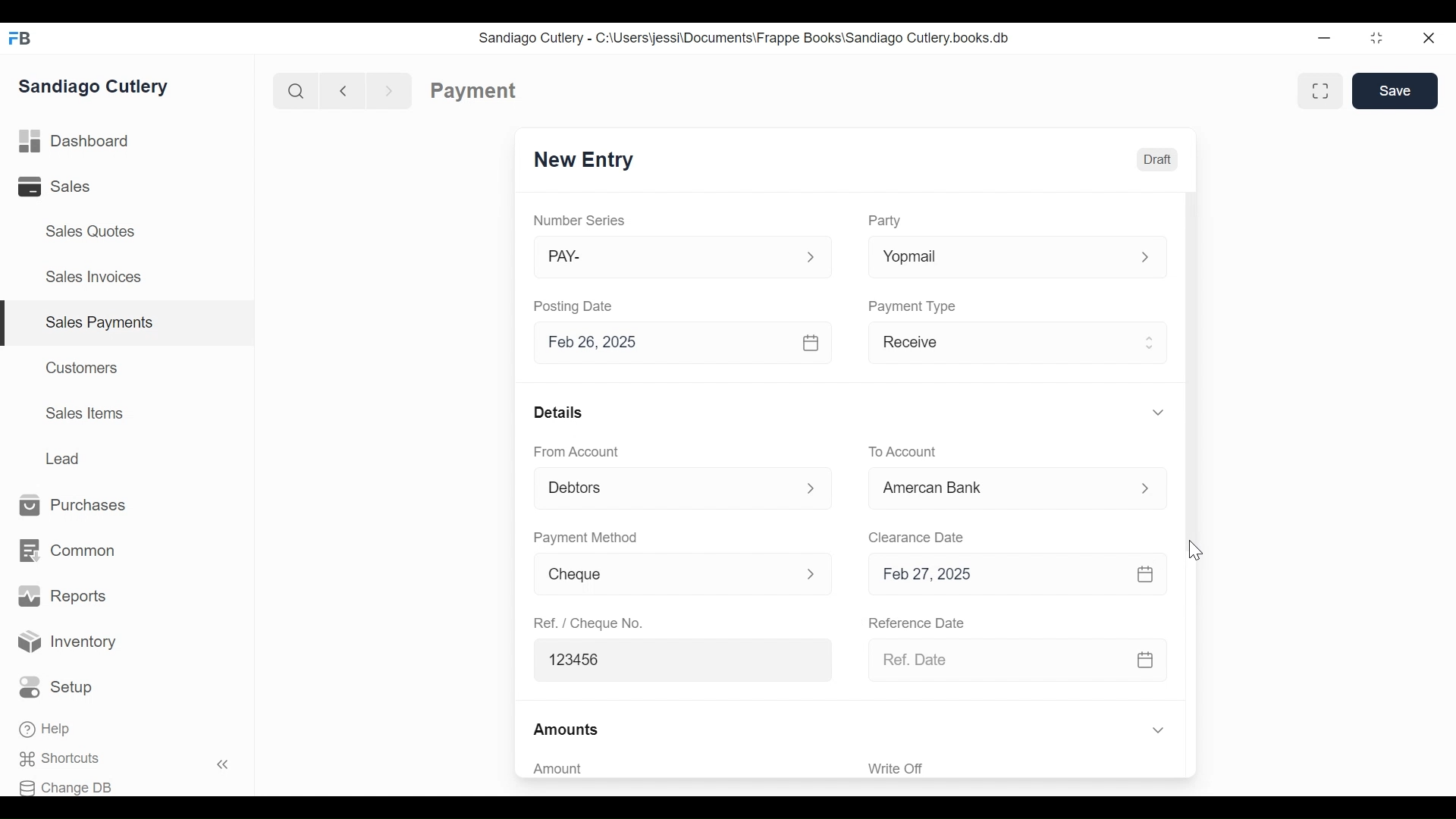 This screenshot has height=819, width=1456. I want to click on Debtors, so click(663, 490).